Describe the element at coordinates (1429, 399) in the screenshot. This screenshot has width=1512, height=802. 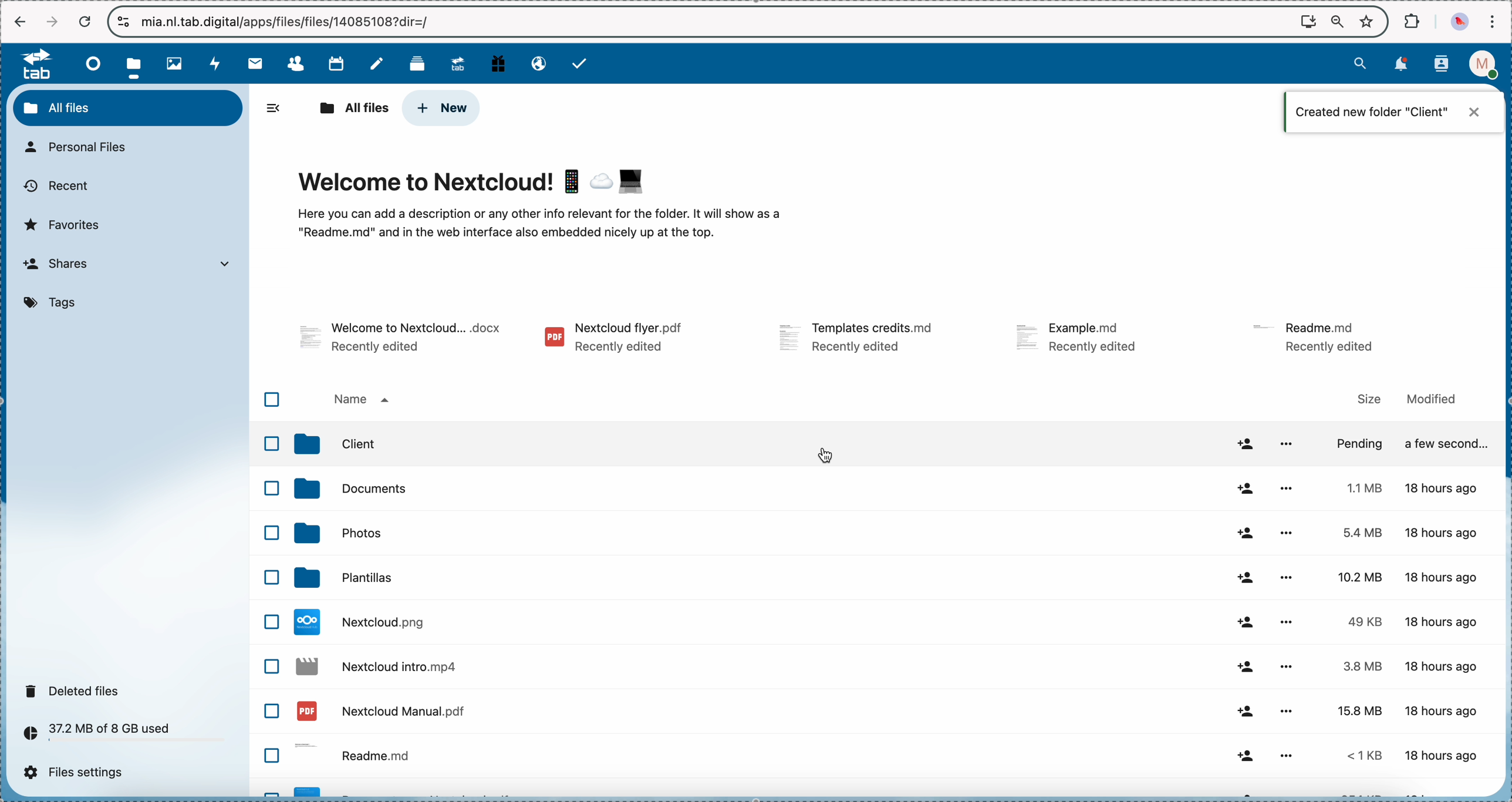
I see `modified` at that location.